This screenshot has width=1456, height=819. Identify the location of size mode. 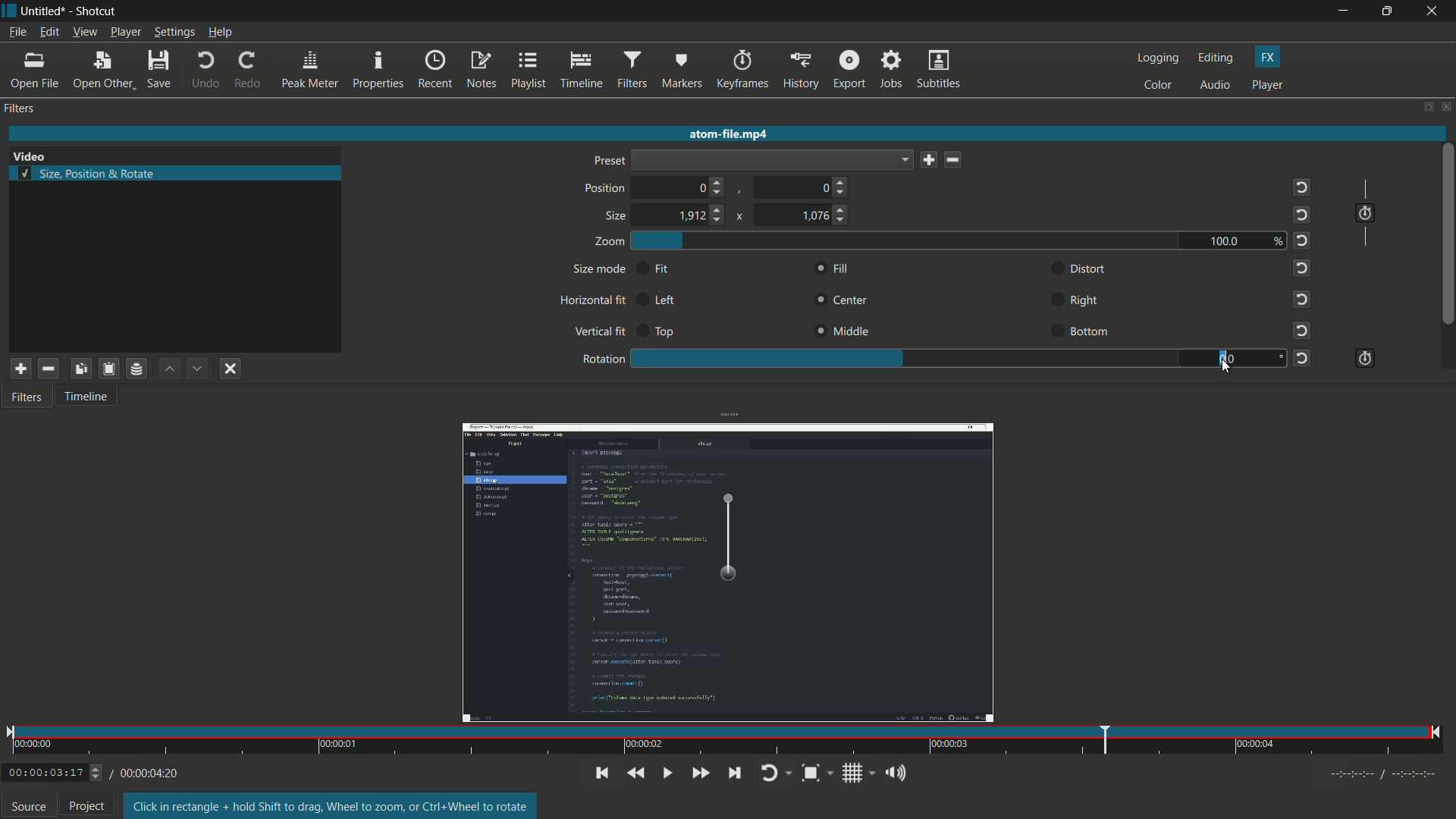
(598, 270).